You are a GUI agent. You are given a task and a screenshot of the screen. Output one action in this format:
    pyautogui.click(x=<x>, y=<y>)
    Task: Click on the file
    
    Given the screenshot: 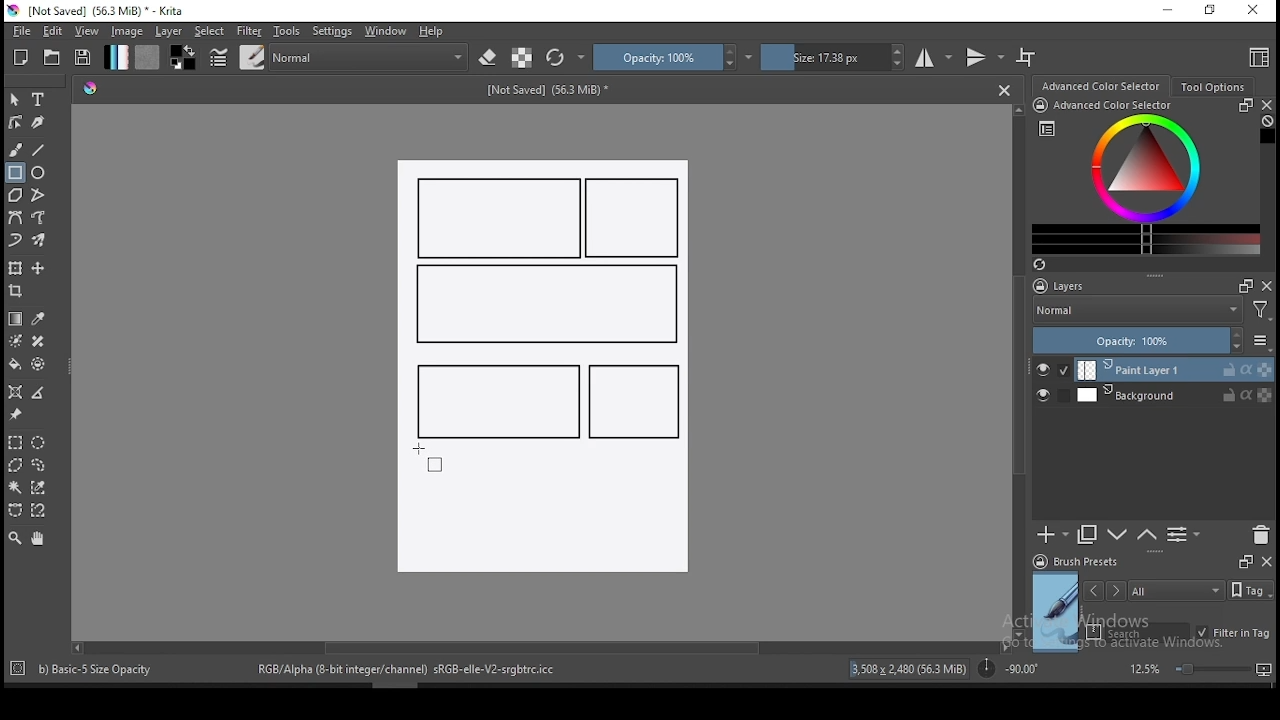 What is the action you would take?
    pyautogui.click(x=21, y=31)
    